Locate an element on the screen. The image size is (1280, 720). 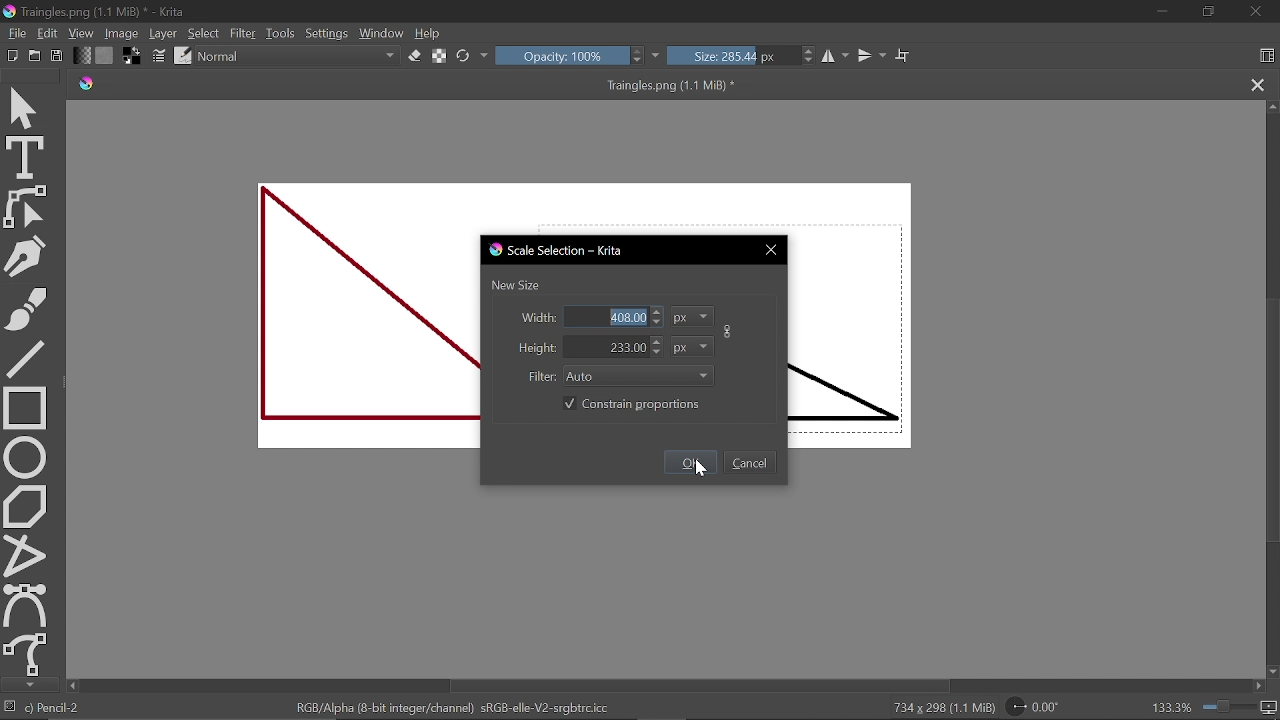
Rotate is located at coordinates (1046, 707).